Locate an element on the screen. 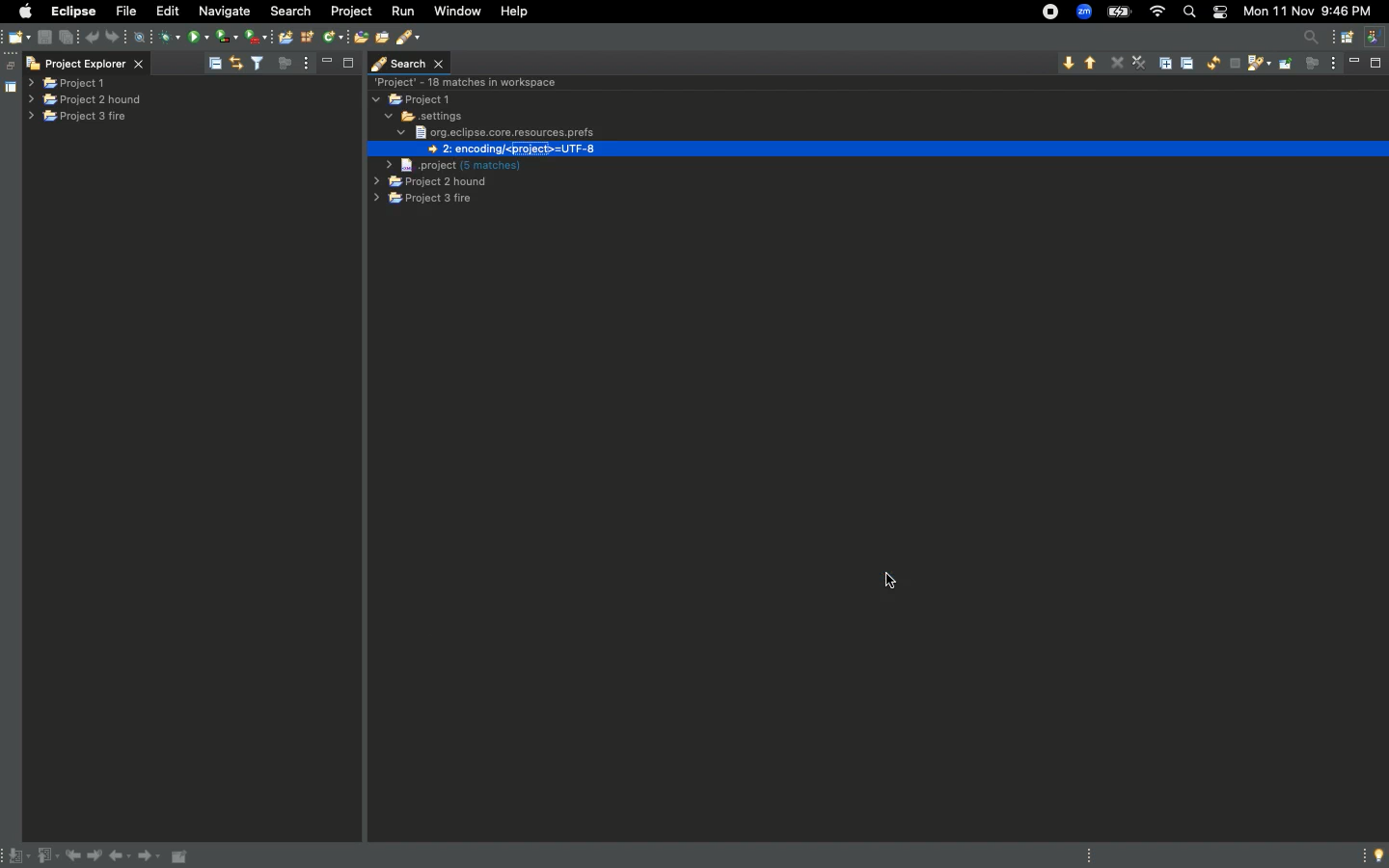 The image size is (1389, 868). Search is located at coordinates (410, 63).